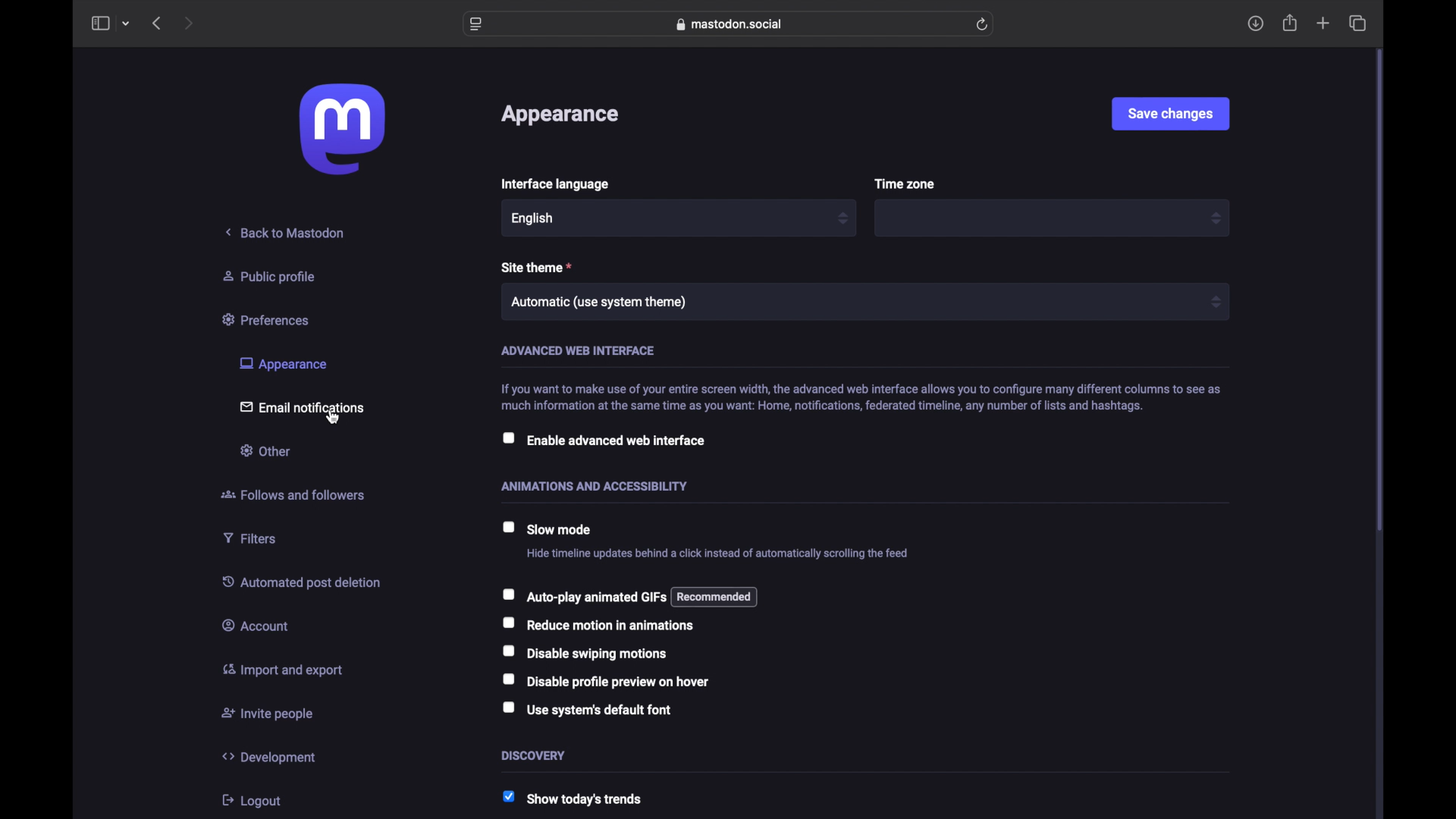 The image size is (1456, 819). I want to click on share, so click(1291, 23).